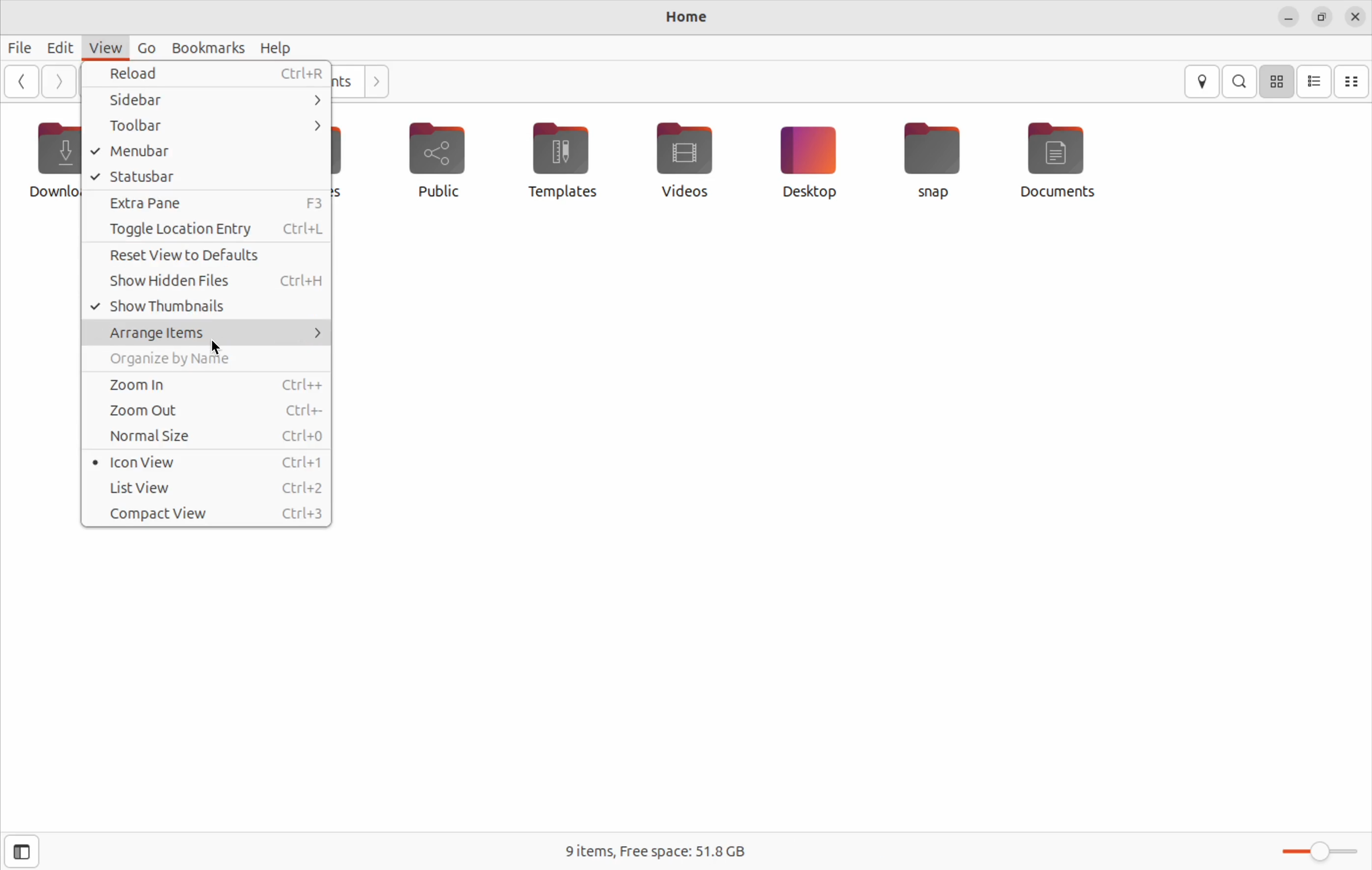  What do you see at coordinates (205, 230) in the screenshot?
I see `toggle local entry` at bounding box center [205, 230].